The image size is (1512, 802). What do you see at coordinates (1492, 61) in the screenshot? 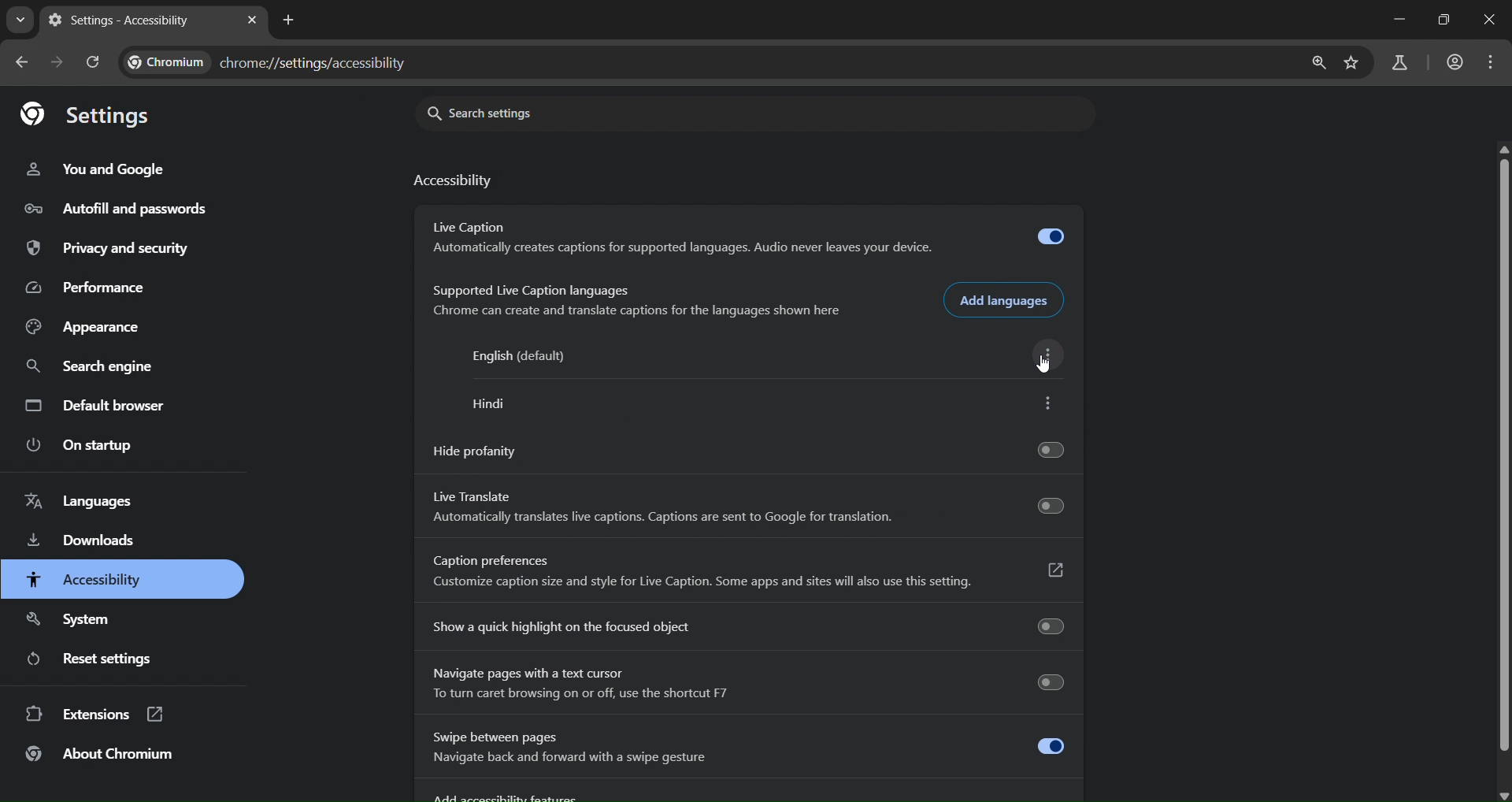
I see `menu` at bounding box center [1492, 61].